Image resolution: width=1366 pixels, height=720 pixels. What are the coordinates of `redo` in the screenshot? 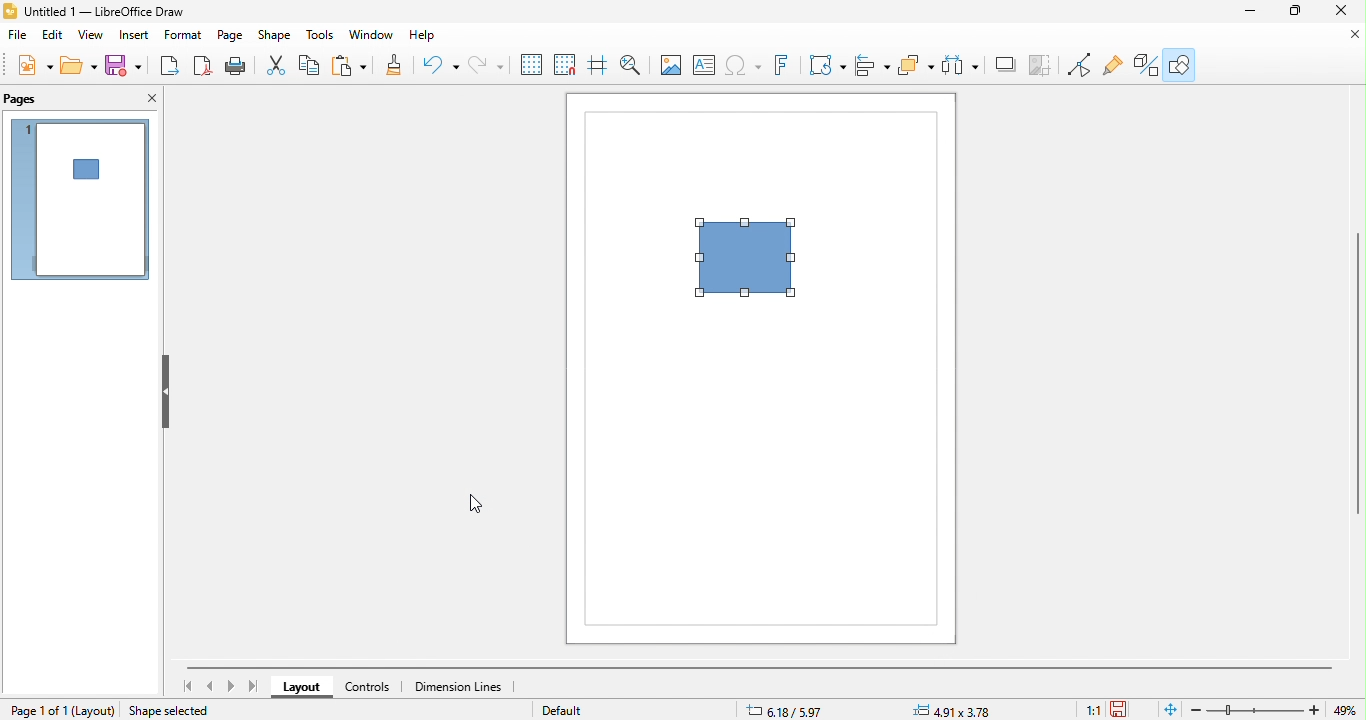 It's located at (486, 66).